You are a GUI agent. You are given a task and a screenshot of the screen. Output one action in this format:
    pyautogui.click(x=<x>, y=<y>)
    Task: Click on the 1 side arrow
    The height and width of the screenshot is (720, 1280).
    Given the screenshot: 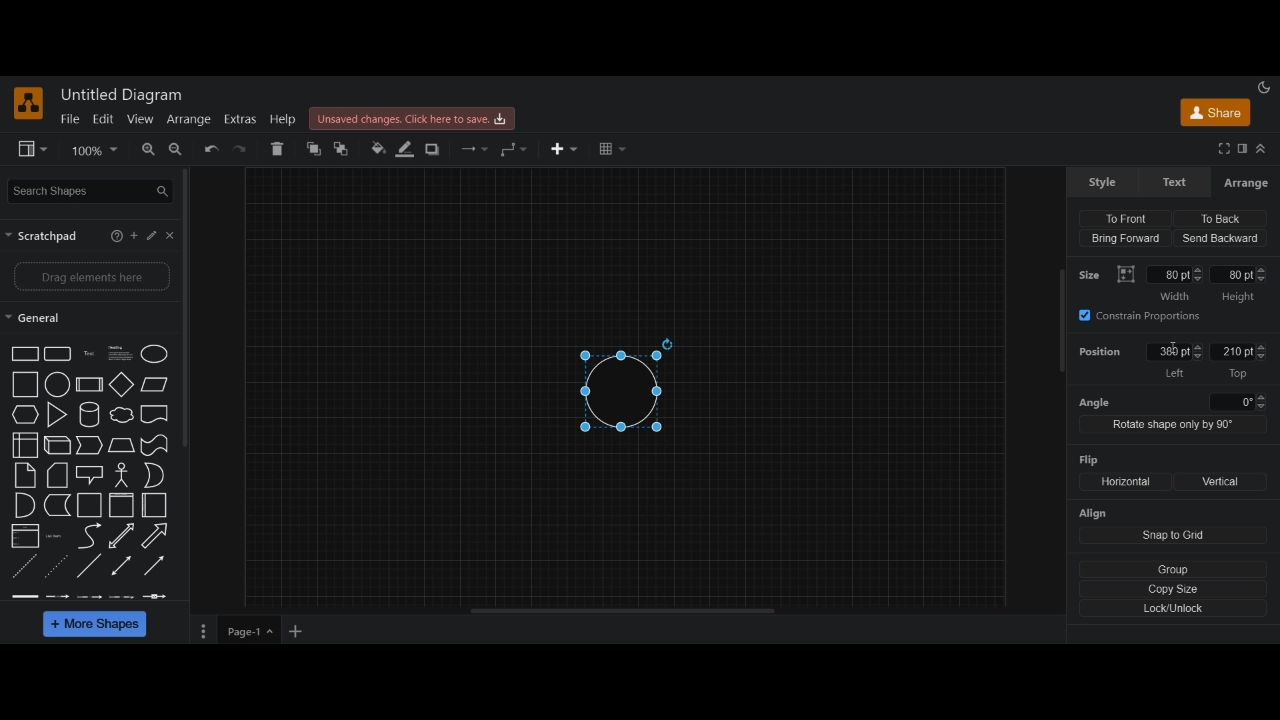 What is the action you would take?
    pyautogui.click(x=154, y=564)
    